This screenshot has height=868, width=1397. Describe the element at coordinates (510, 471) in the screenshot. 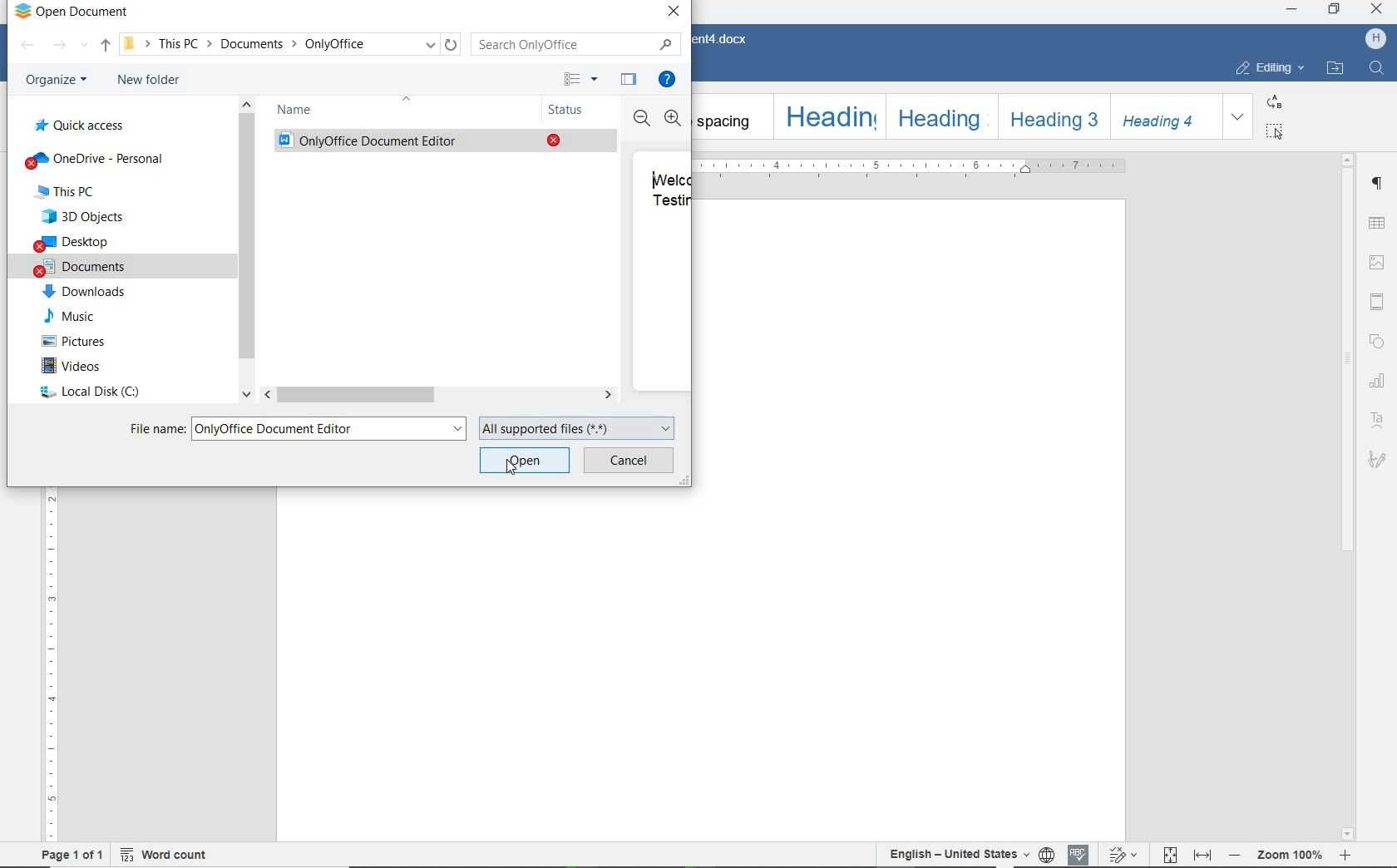

I see `Pointer ` at that location.